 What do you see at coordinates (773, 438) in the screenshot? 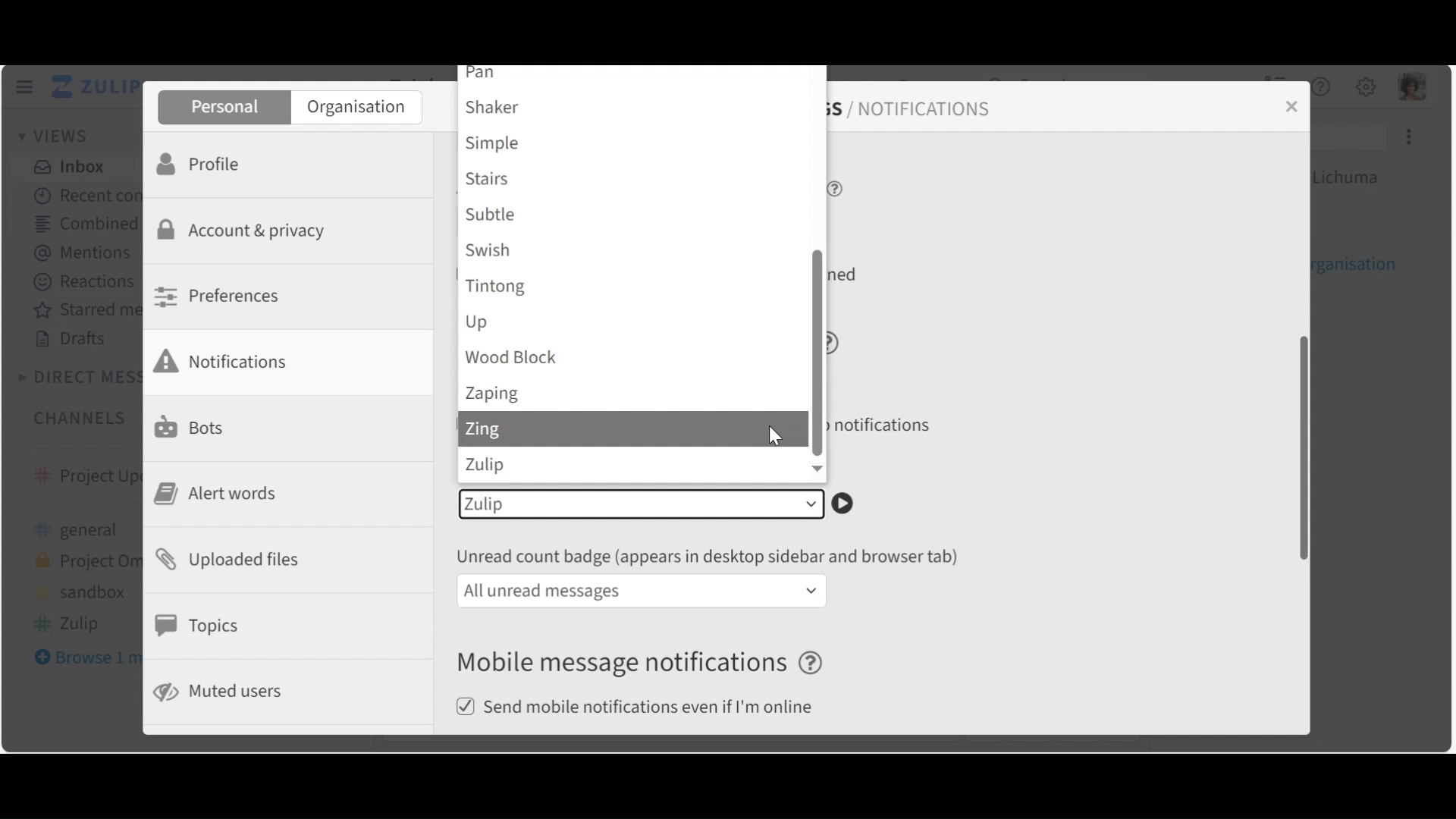
I see `Cursor` at bounding box center [773, 438].